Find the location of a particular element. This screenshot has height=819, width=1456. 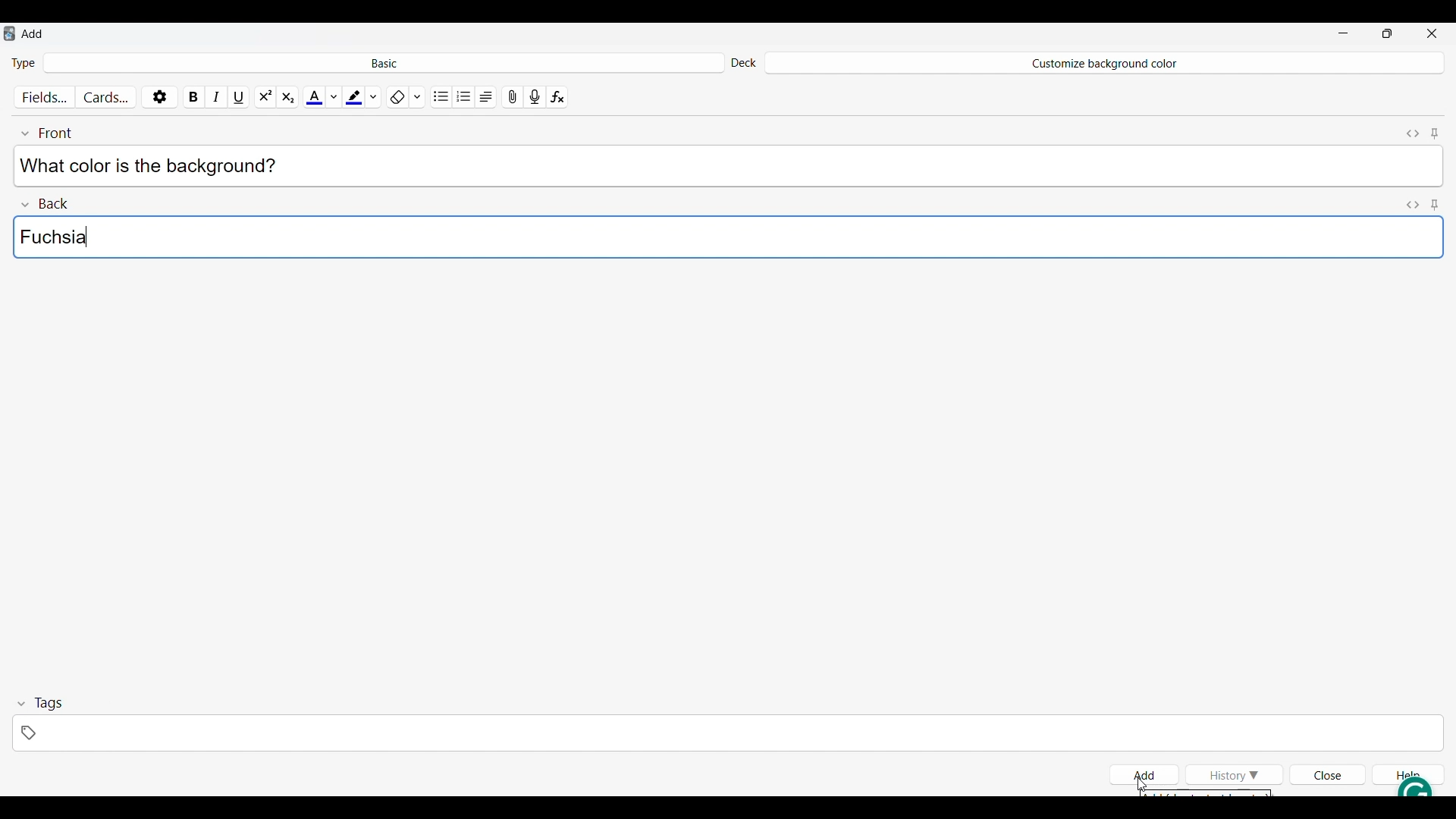

Selected text color is located at coordinates (313, 95).